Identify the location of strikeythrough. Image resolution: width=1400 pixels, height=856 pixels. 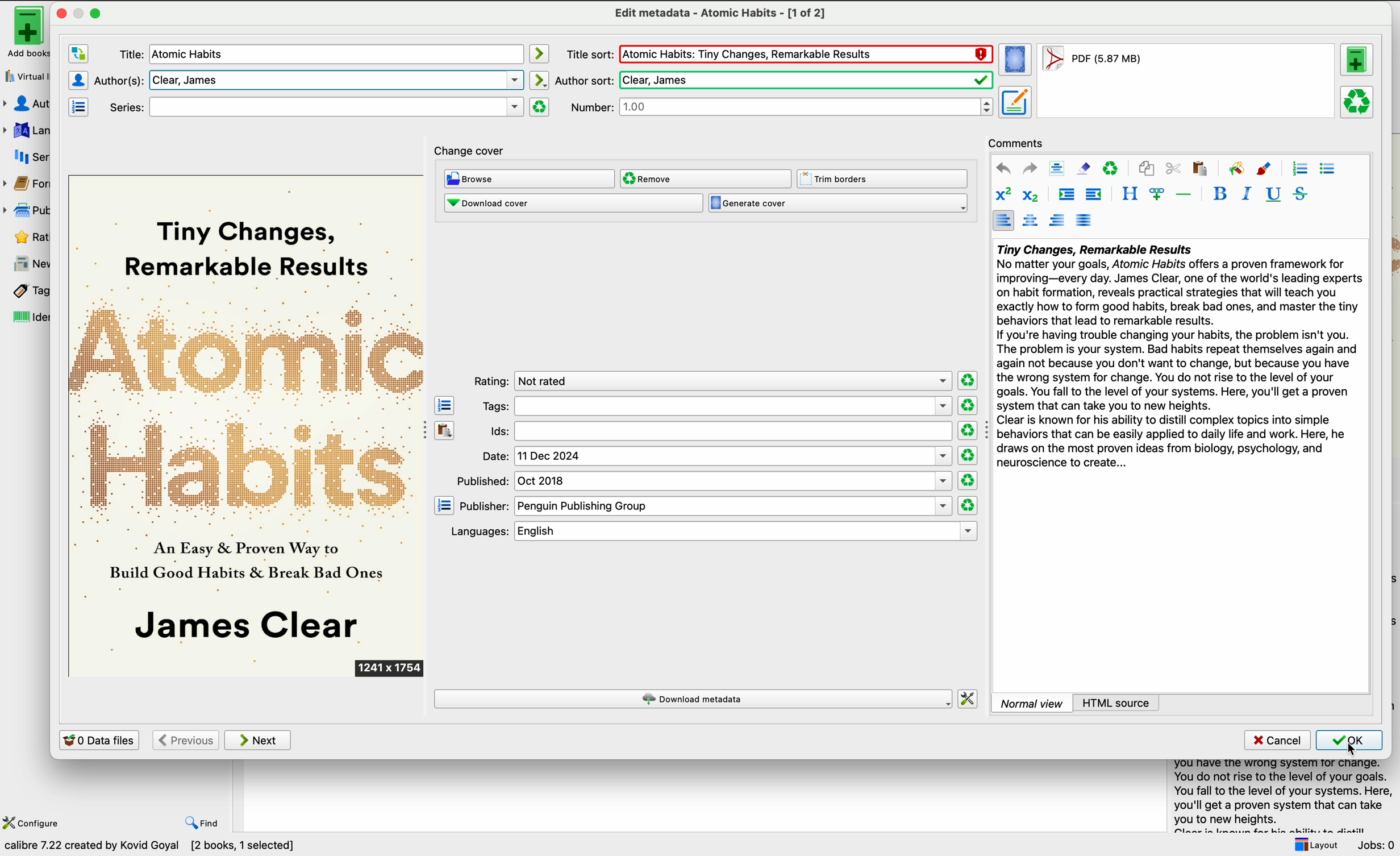
(1301, 194).